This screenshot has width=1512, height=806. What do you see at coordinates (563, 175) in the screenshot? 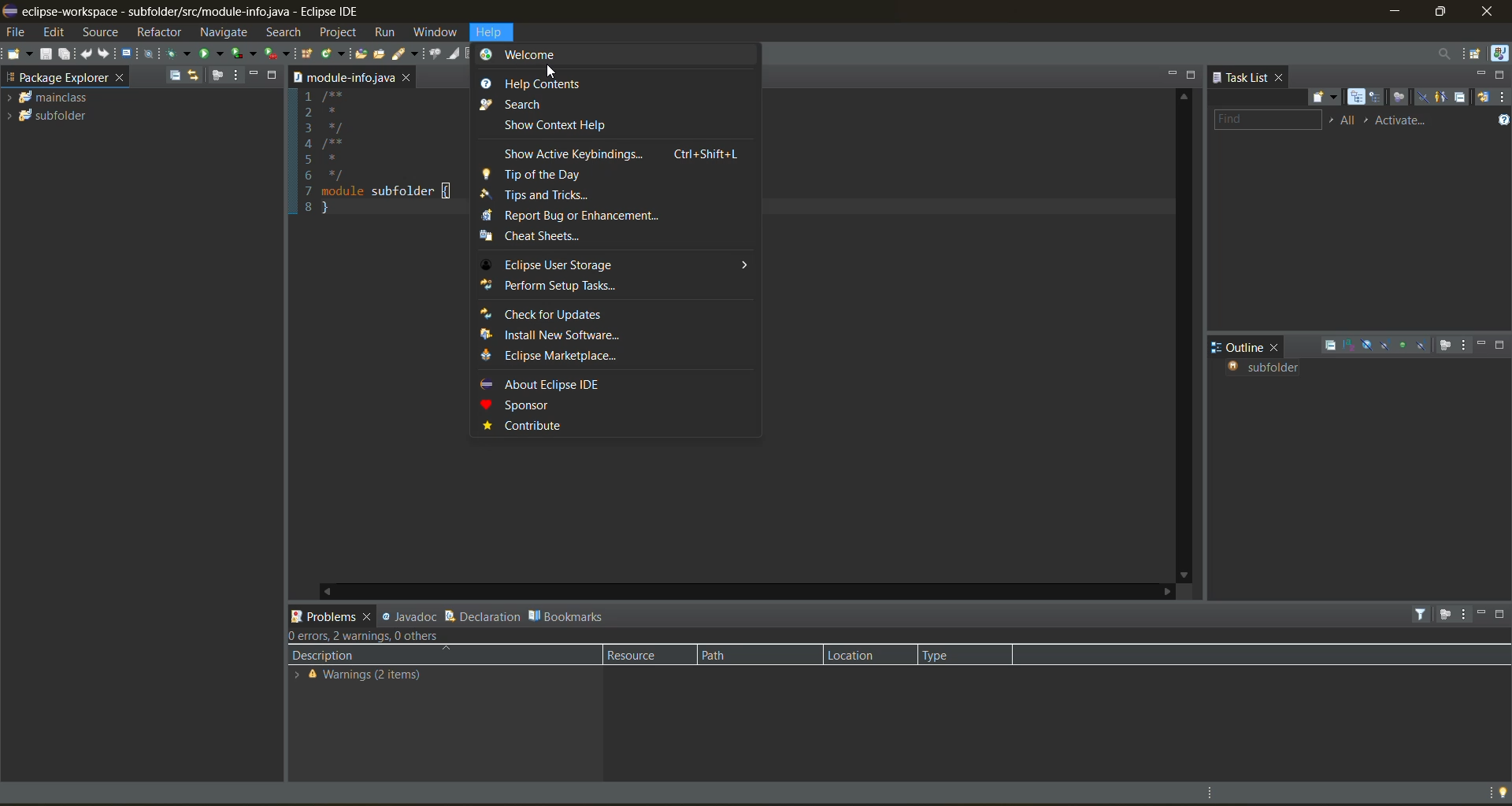
I see `tip of the day` at bounding box center [563, 175].